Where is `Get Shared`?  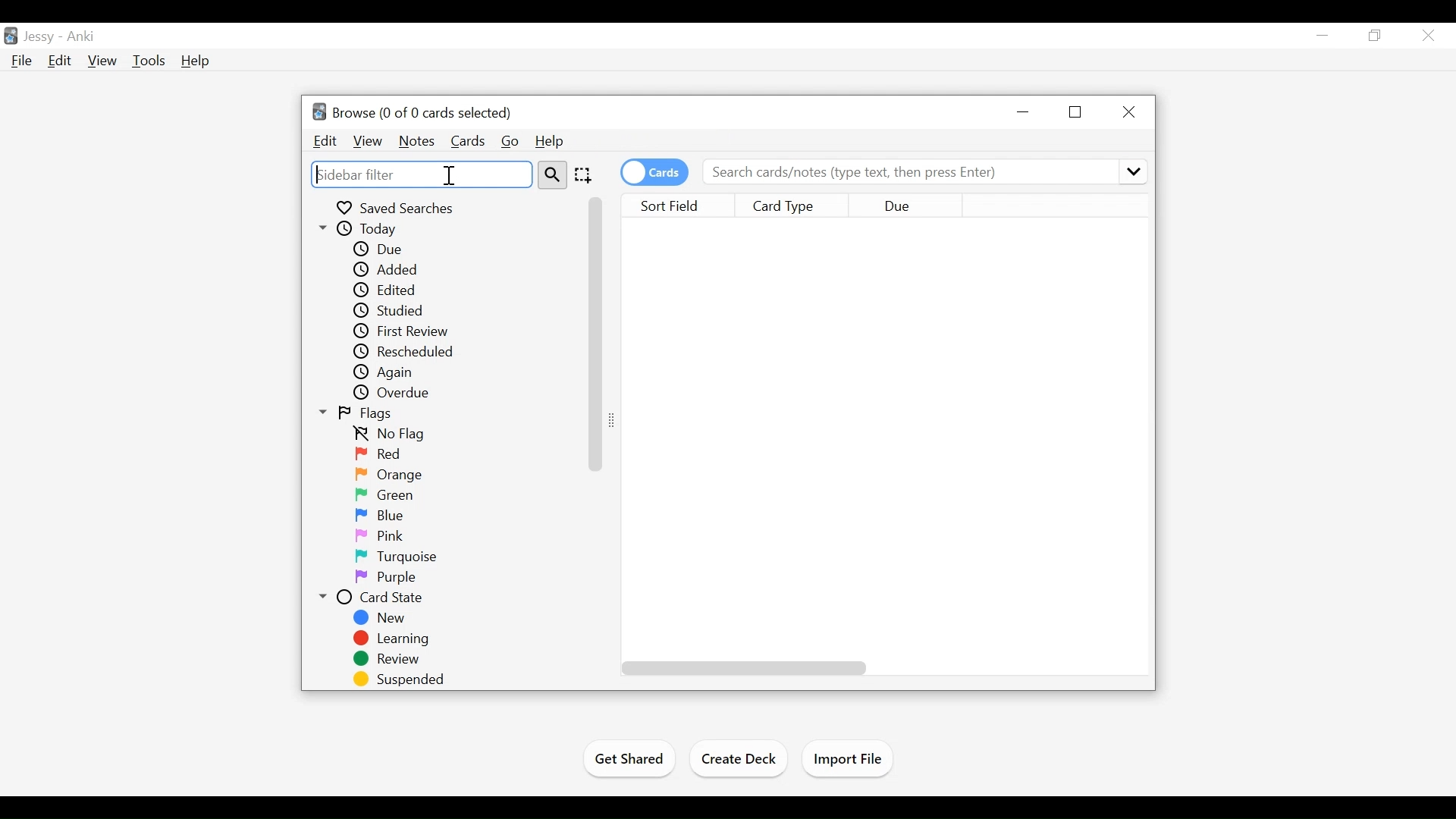
Get Shared is located at coordinates (627, 761).